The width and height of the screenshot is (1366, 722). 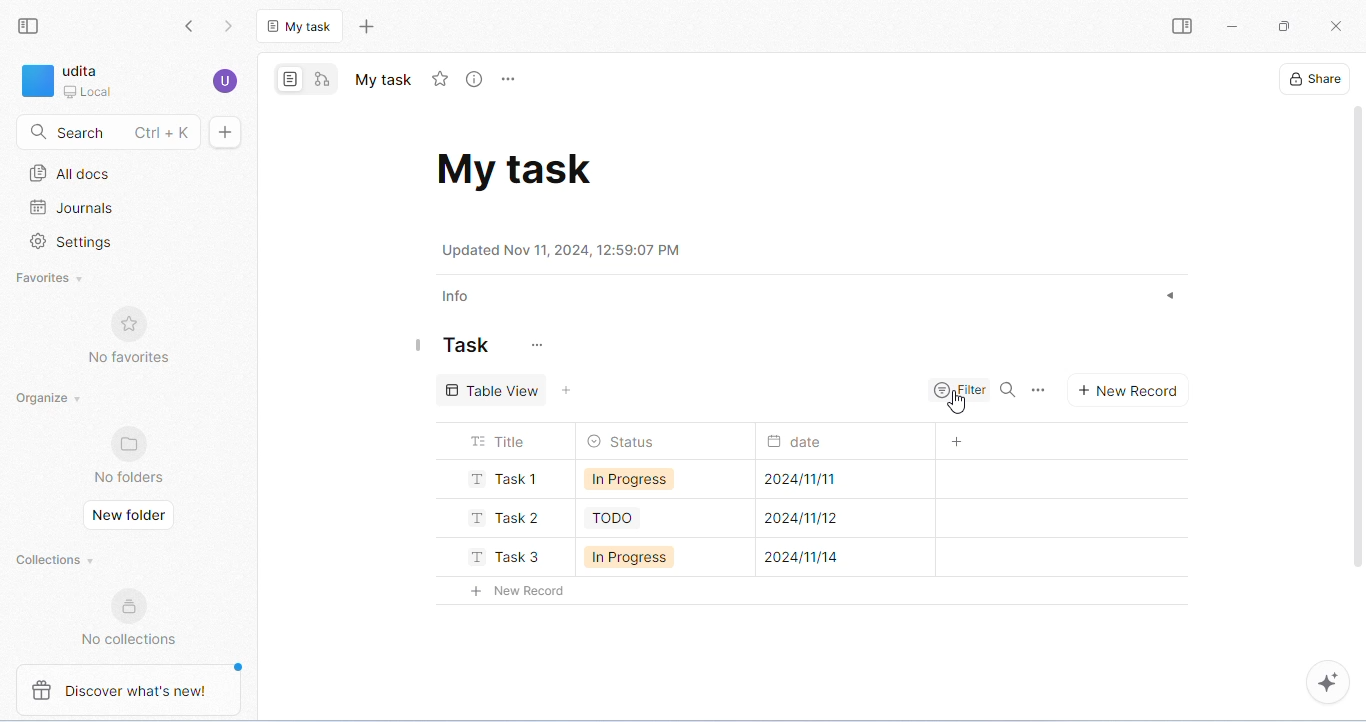 What do you see at coordinates (28, 27) in the screenshot?
I see `collapse side bar` at bounding box center [28, 27].